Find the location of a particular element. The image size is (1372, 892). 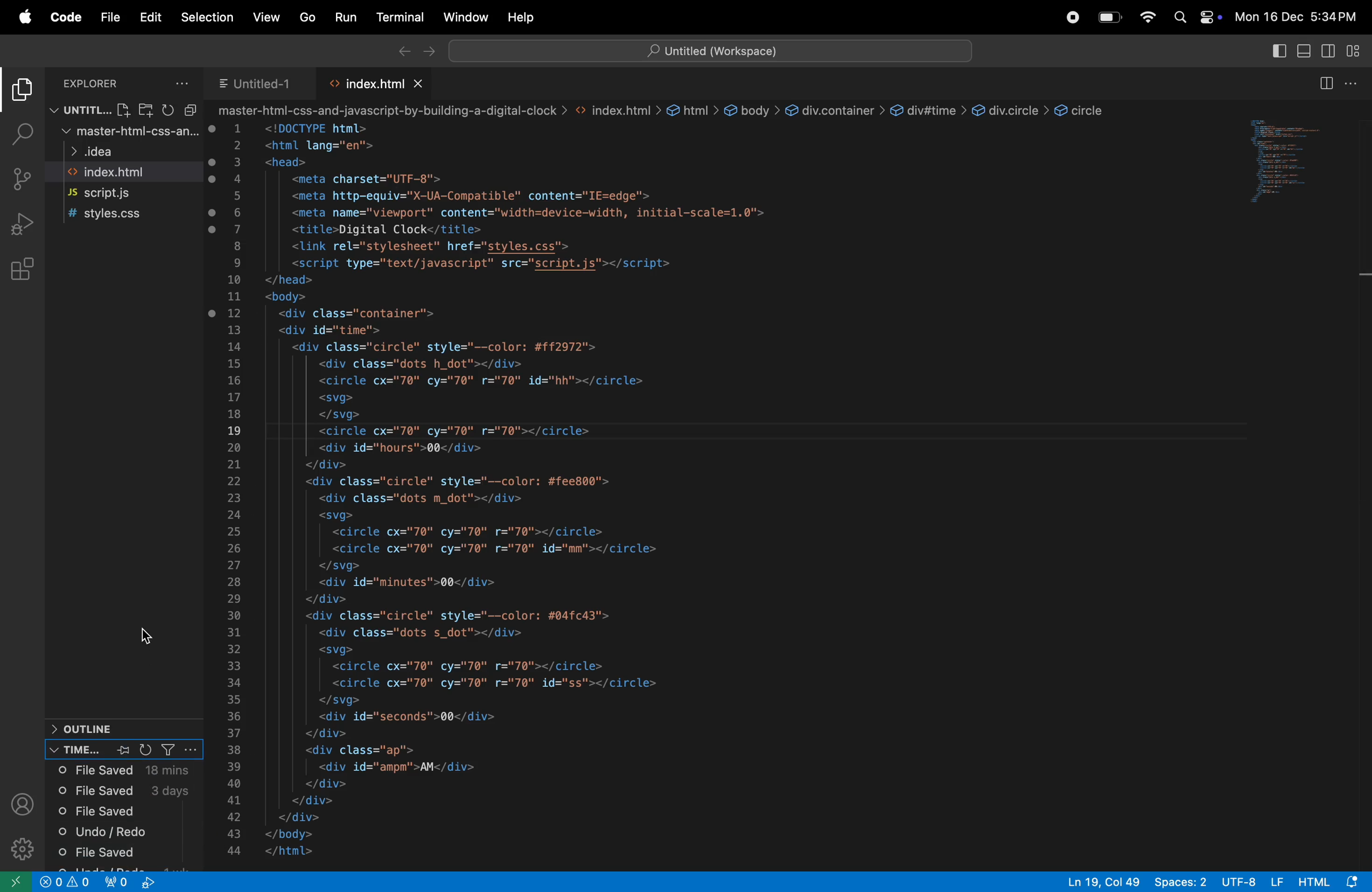

code is located at coordinates (66, 17).